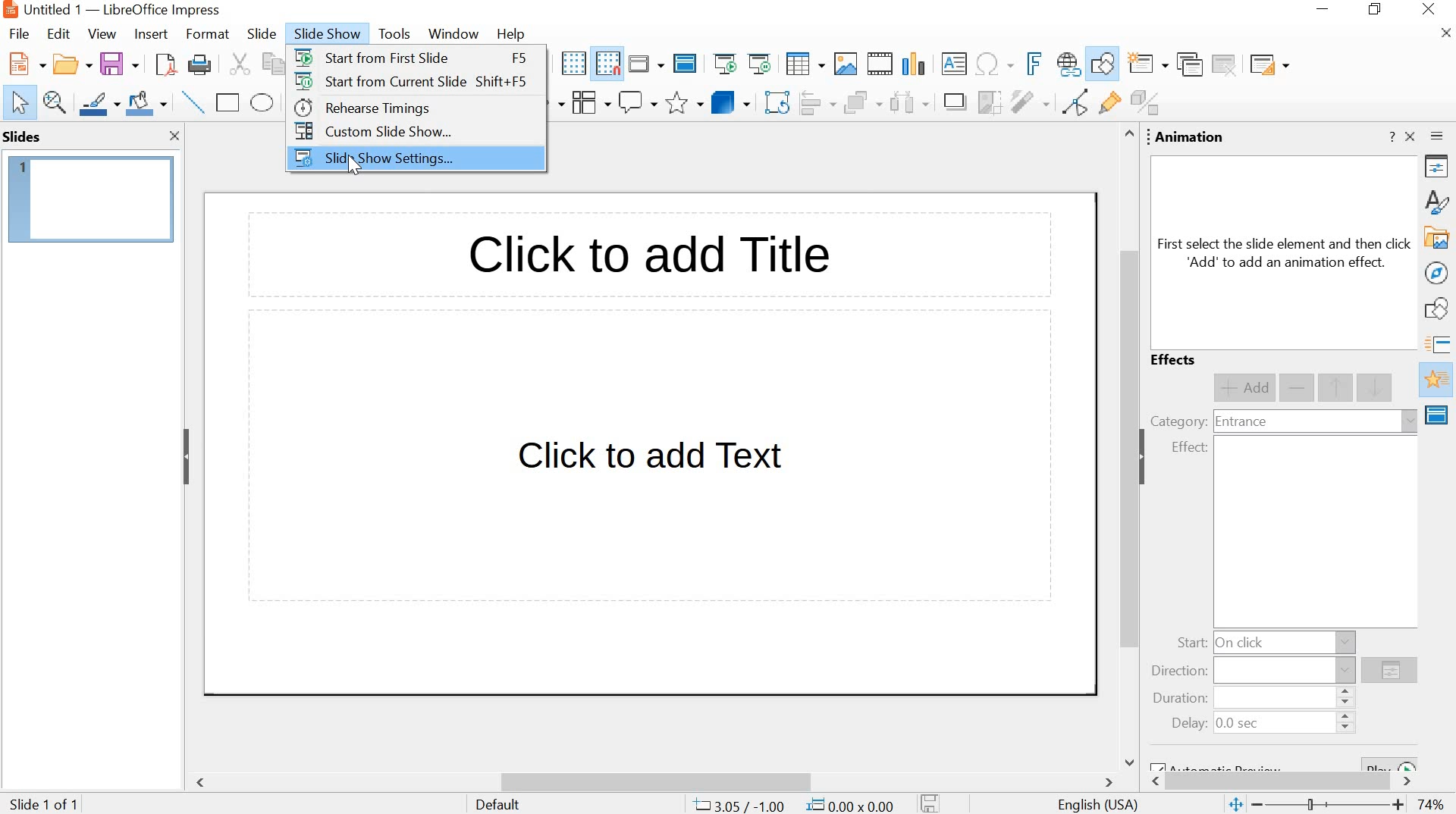  Describe the element at coordinates (47, 802) in the screenshot. I see `slide 1 of 1` at that location.